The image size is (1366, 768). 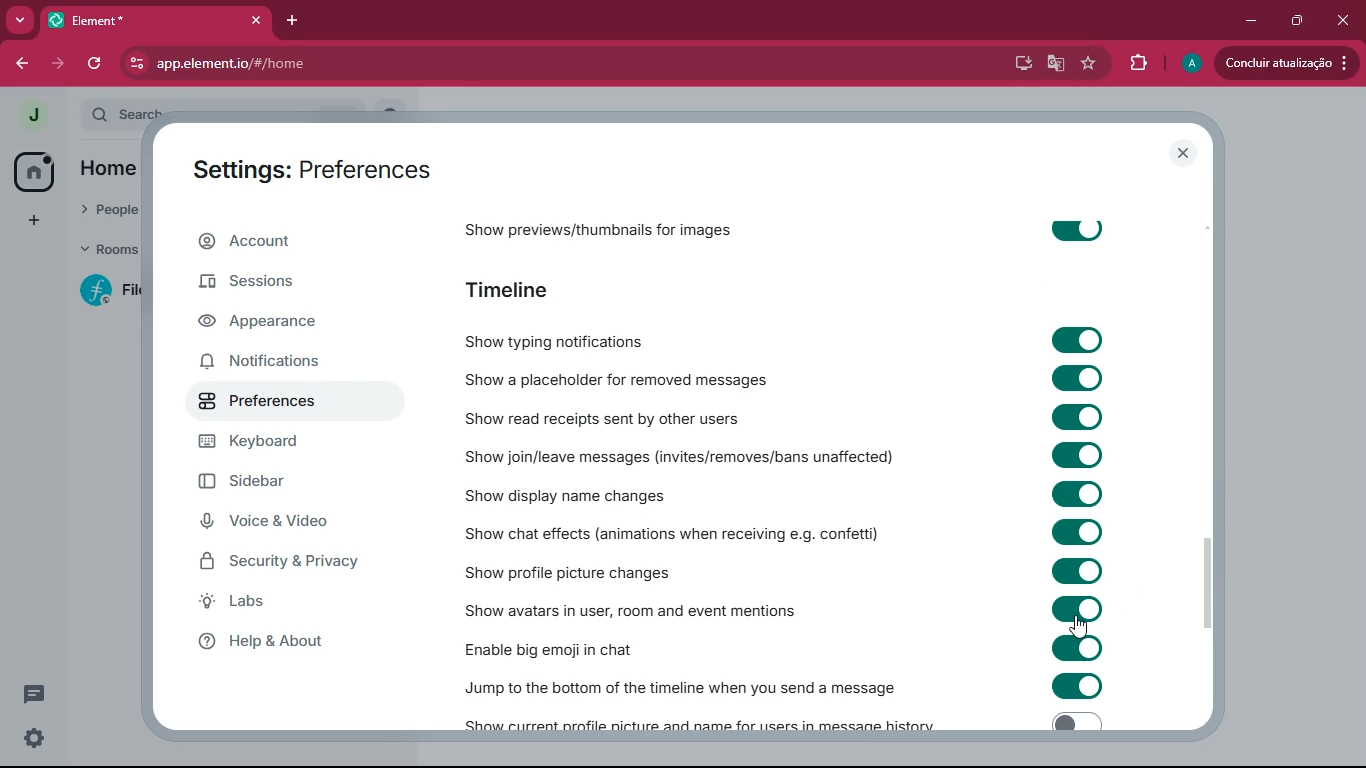 I want to click on concluir atualizacao, so click(x=1286, y=62).